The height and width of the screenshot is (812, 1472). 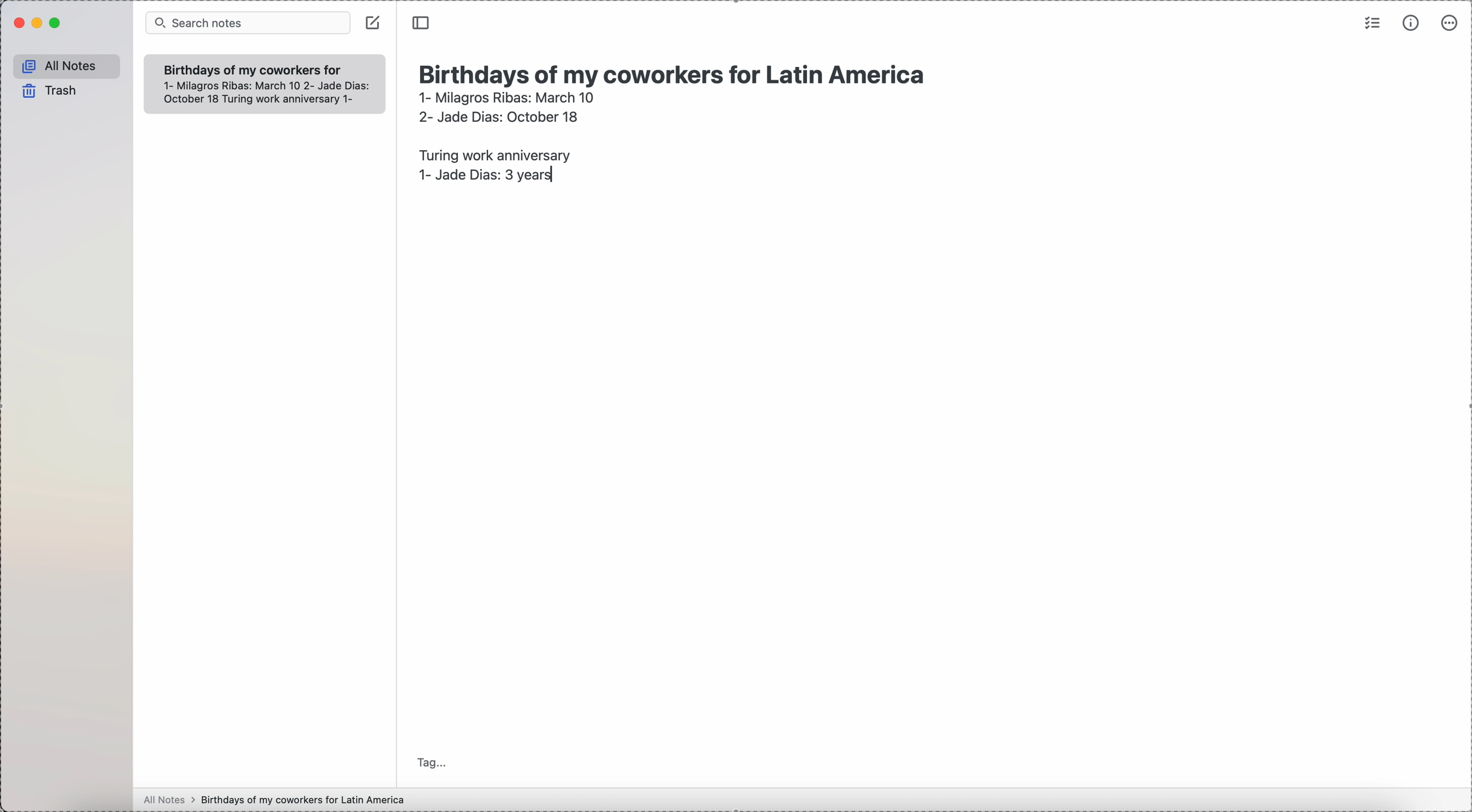 I want to click on close Simplenote, so click(x=18, y=23).